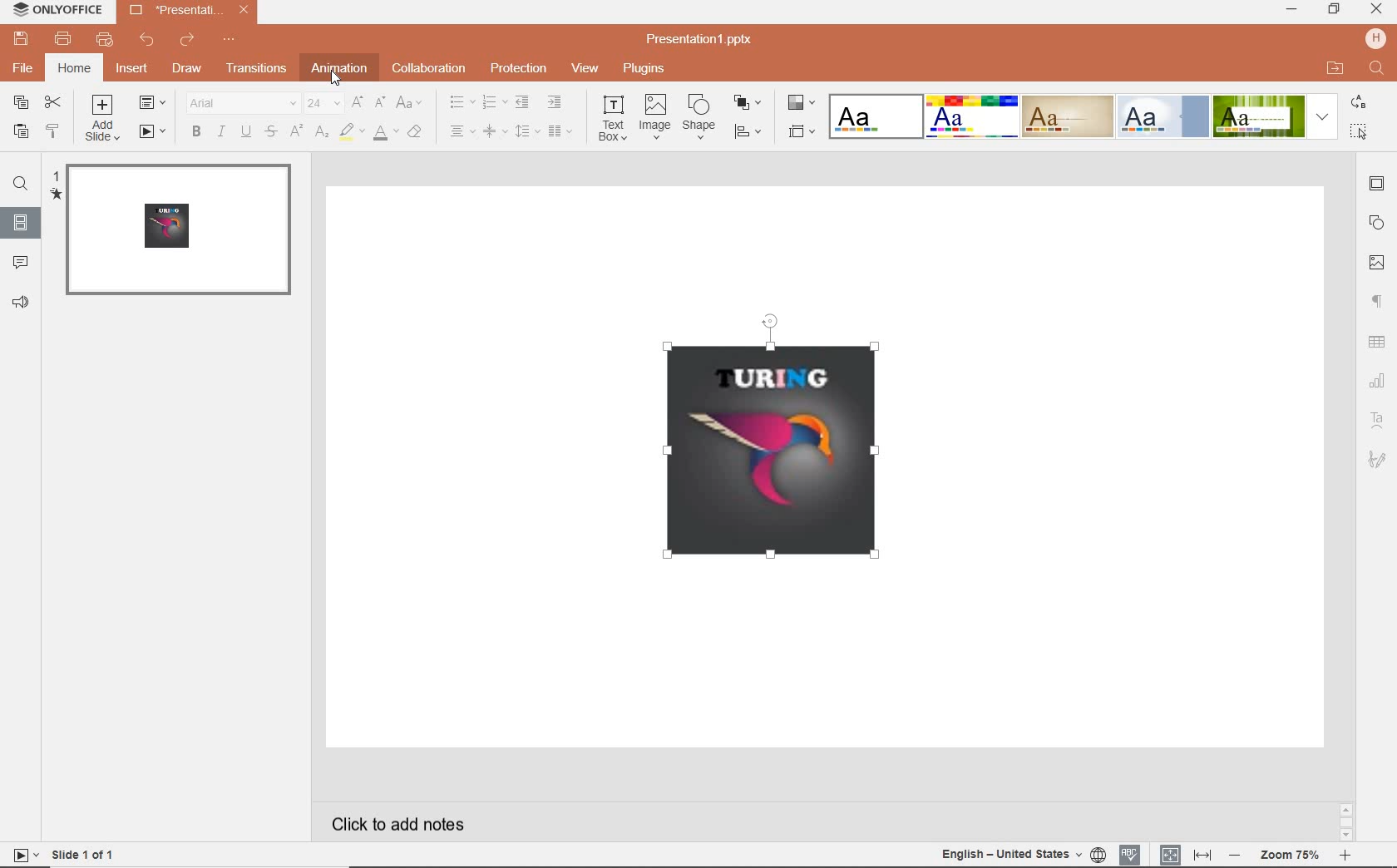  I want to click on save, so click(21, 38).